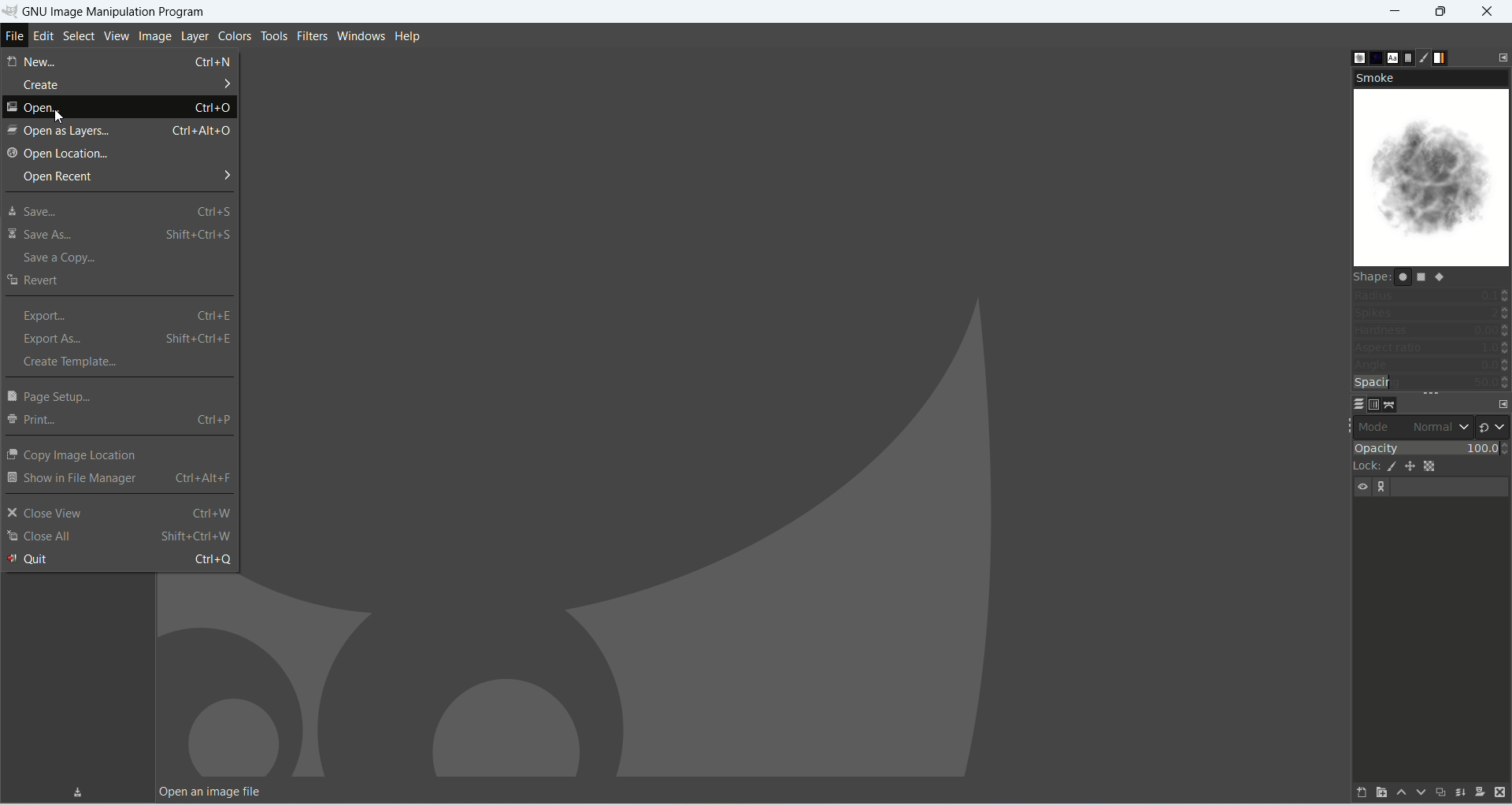 The image size is (1512, 805). What do you see at coordinates (107, 10) in the screenshot?
I see `GNU Image Manipulation Program` at bounding box center [107, 10].